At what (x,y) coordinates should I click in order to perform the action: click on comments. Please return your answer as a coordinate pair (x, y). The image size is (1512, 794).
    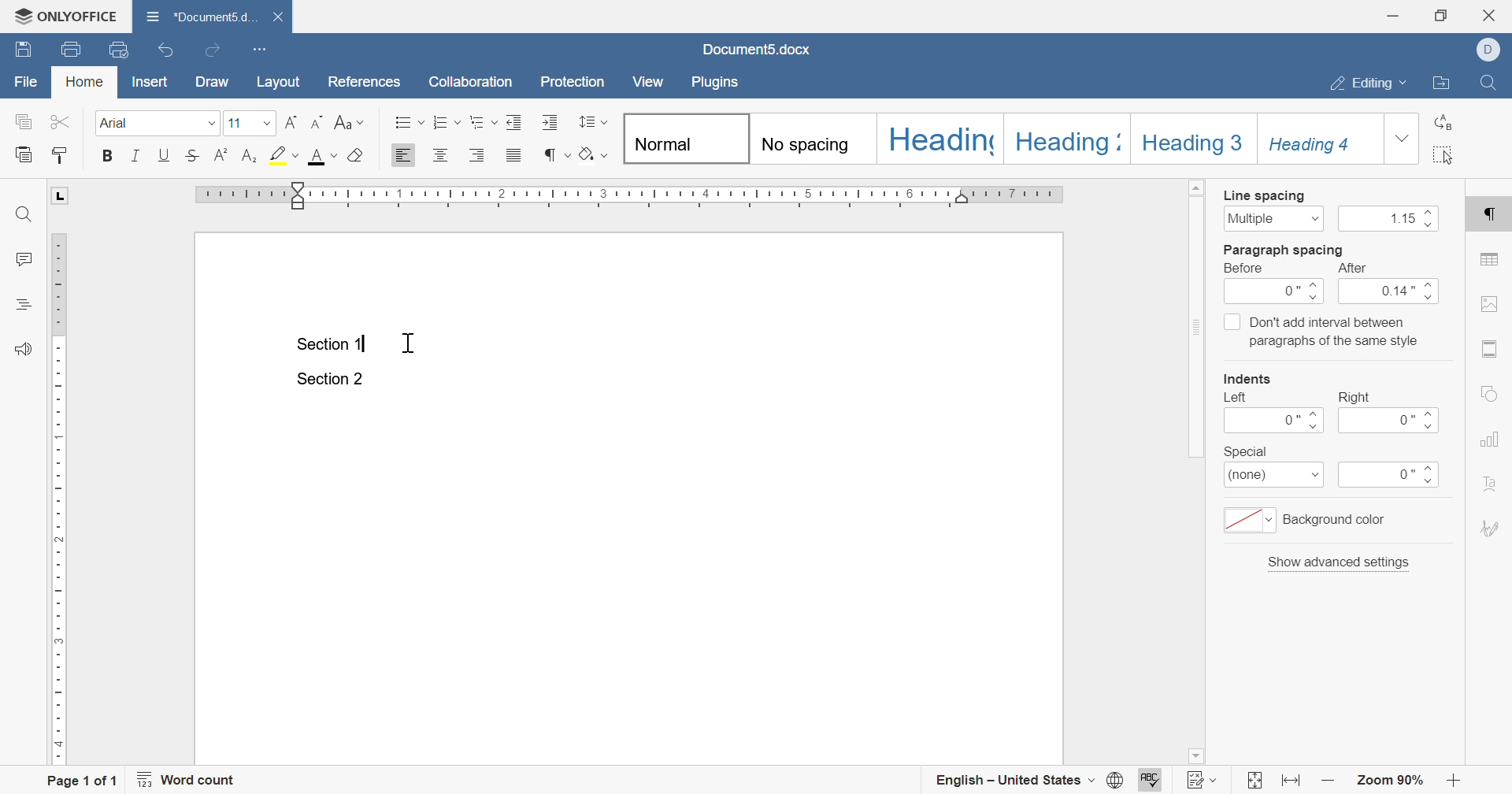
    Looking at the image, I should click on (24, 260).